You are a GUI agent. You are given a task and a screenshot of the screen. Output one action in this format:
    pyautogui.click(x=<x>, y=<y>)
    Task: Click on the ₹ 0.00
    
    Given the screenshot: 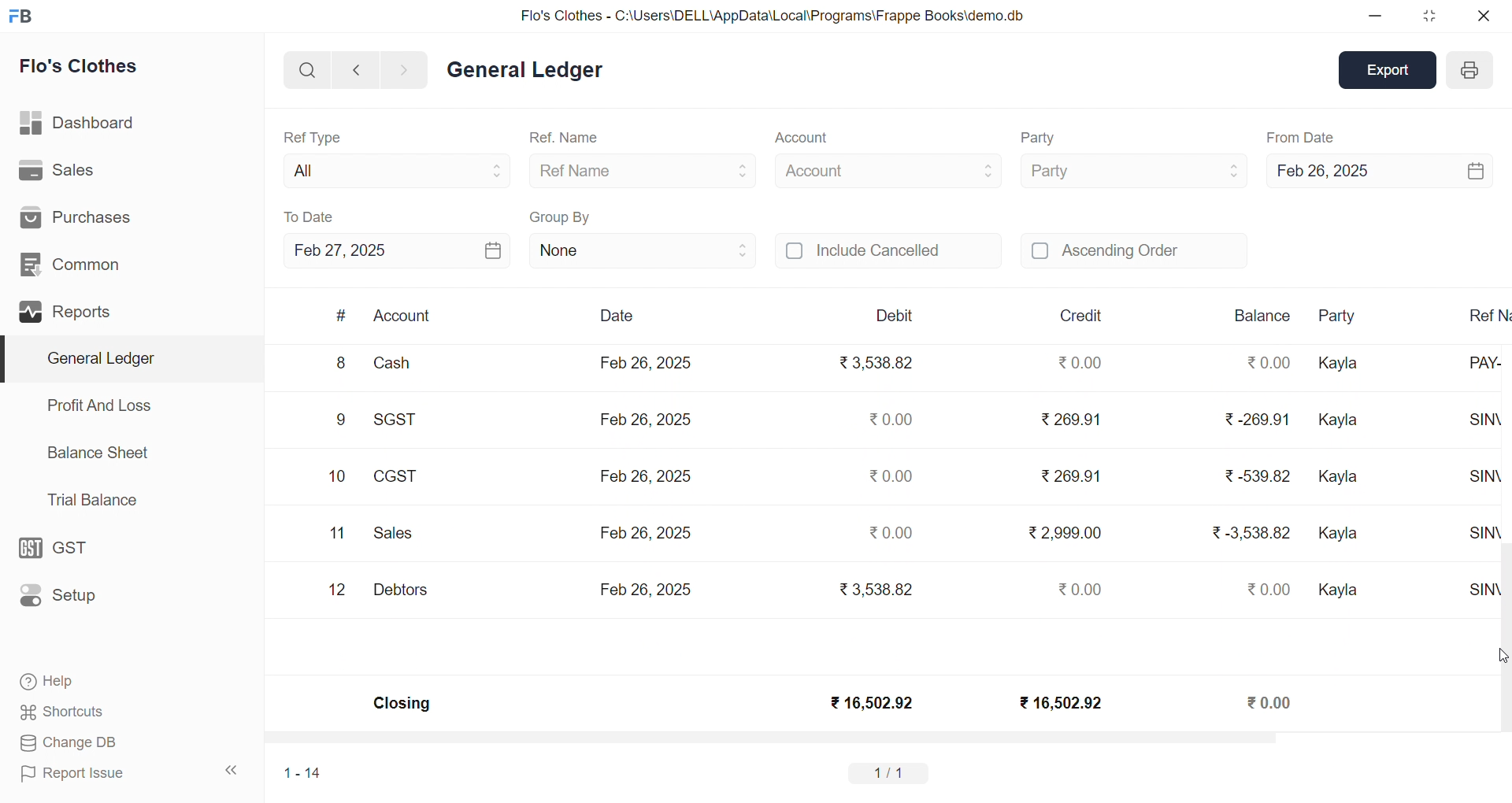 What is the action you would take?
    pyautogui.click(x=1076, y=589)
    